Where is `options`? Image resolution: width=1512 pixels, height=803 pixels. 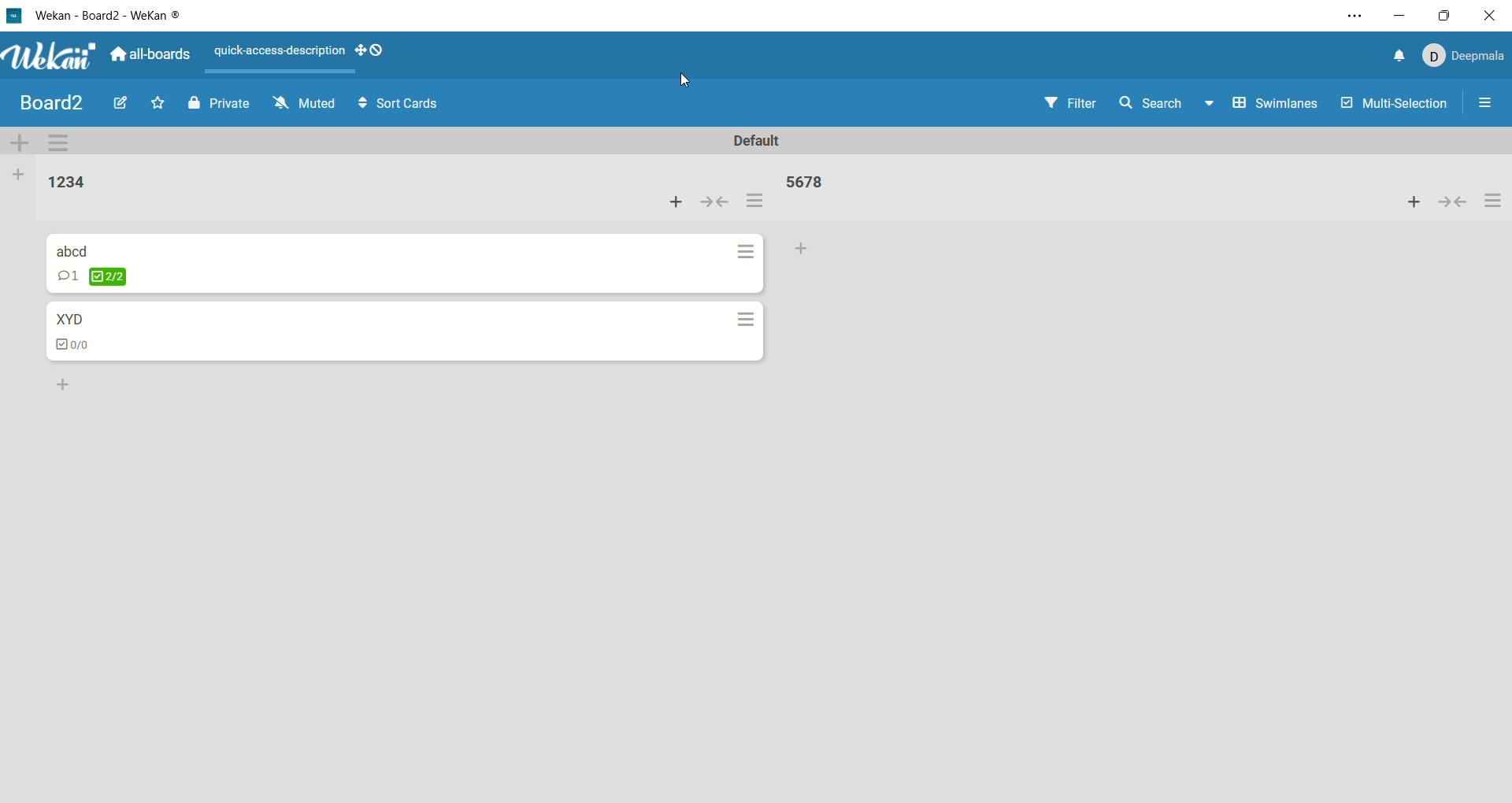
options is located at coordinates (1354, 15).